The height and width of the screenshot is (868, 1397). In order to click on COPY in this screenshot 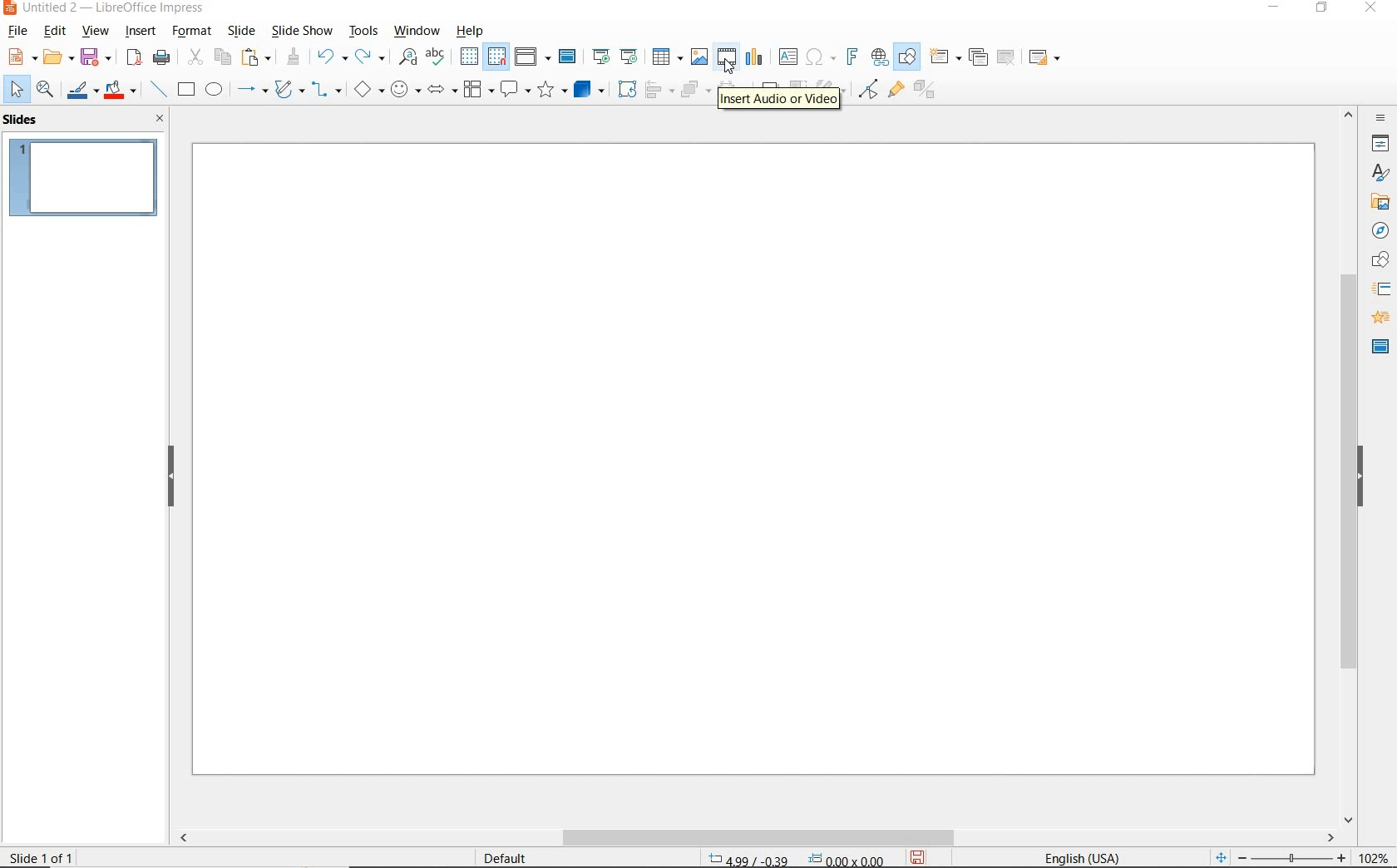, I will do `click(222, 56)`.